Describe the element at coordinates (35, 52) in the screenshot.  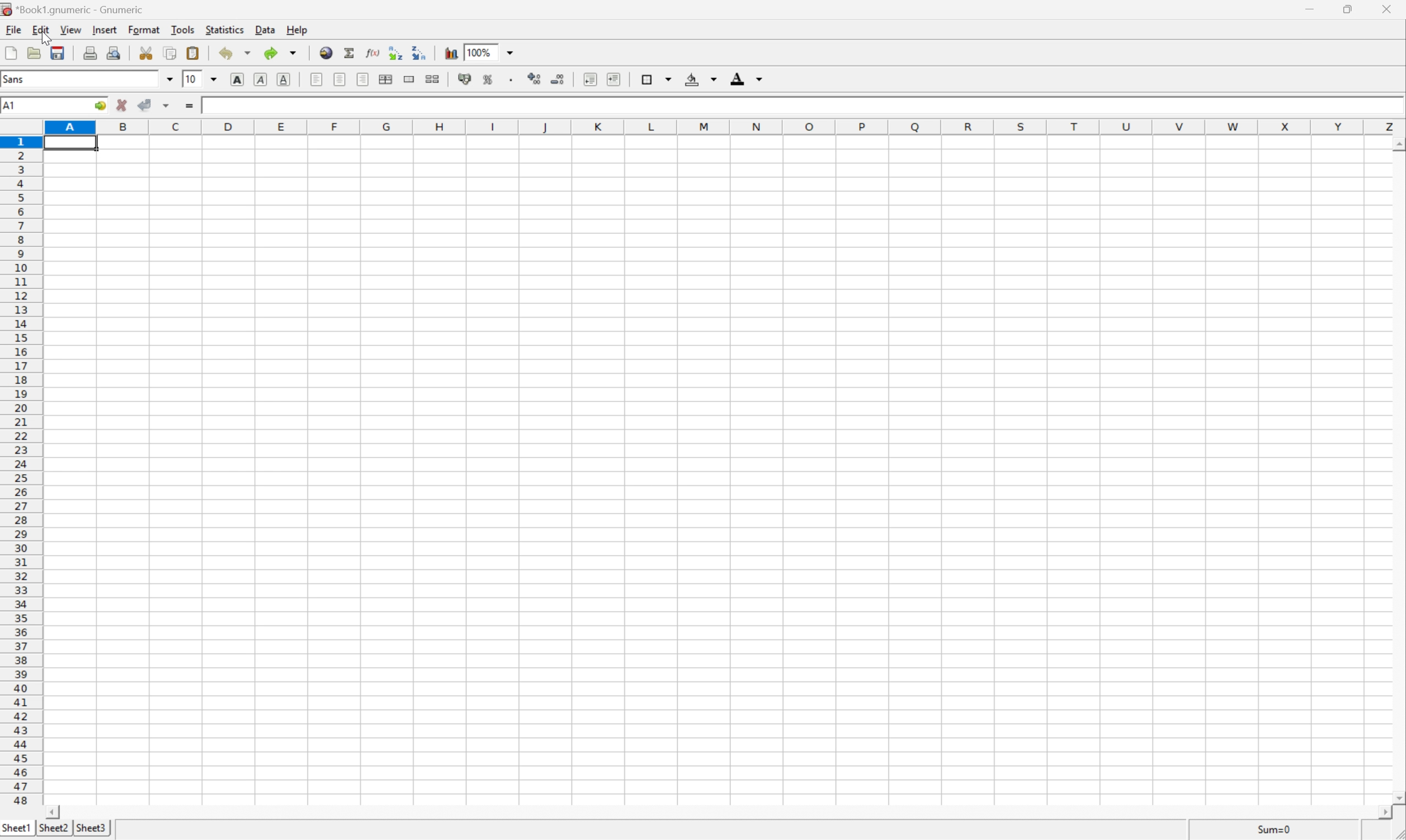
I see `open a file` at that location.